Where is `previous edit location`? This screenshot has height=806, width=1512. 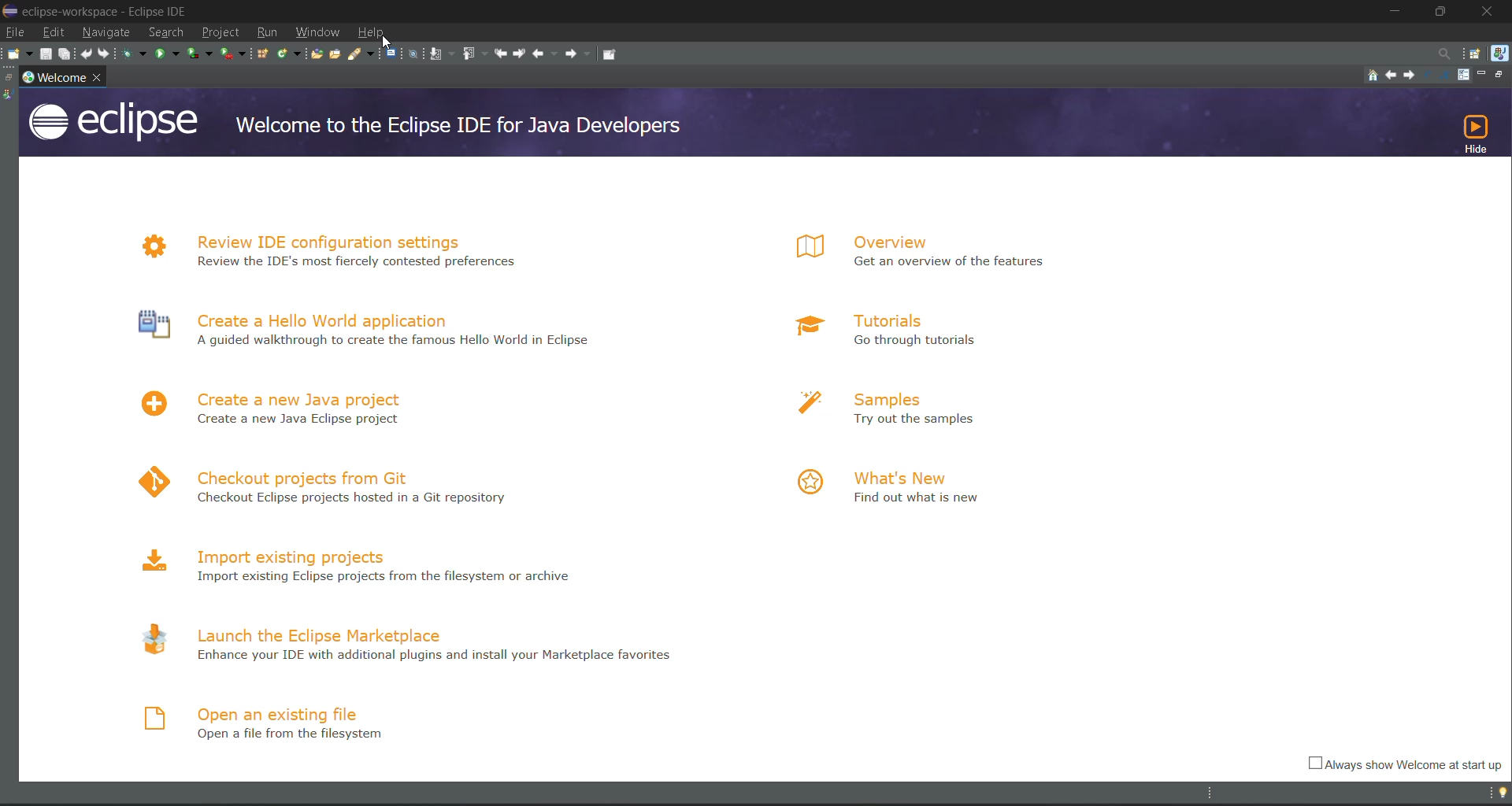 previous edit location is located at coordinates (501, 54).